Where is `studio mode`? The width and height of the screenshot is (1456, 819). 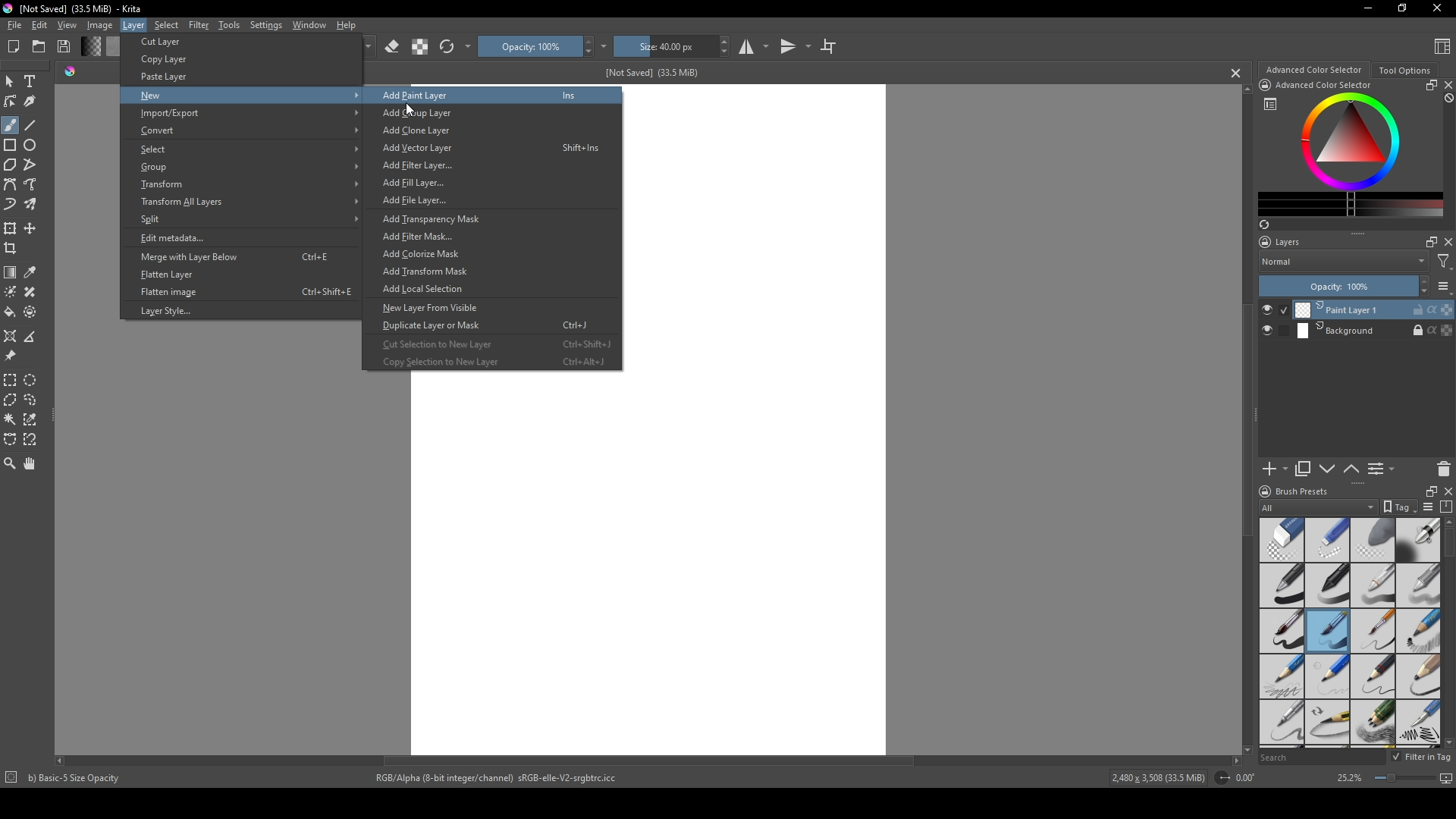 studio mode is located at coordinates (754, 46).